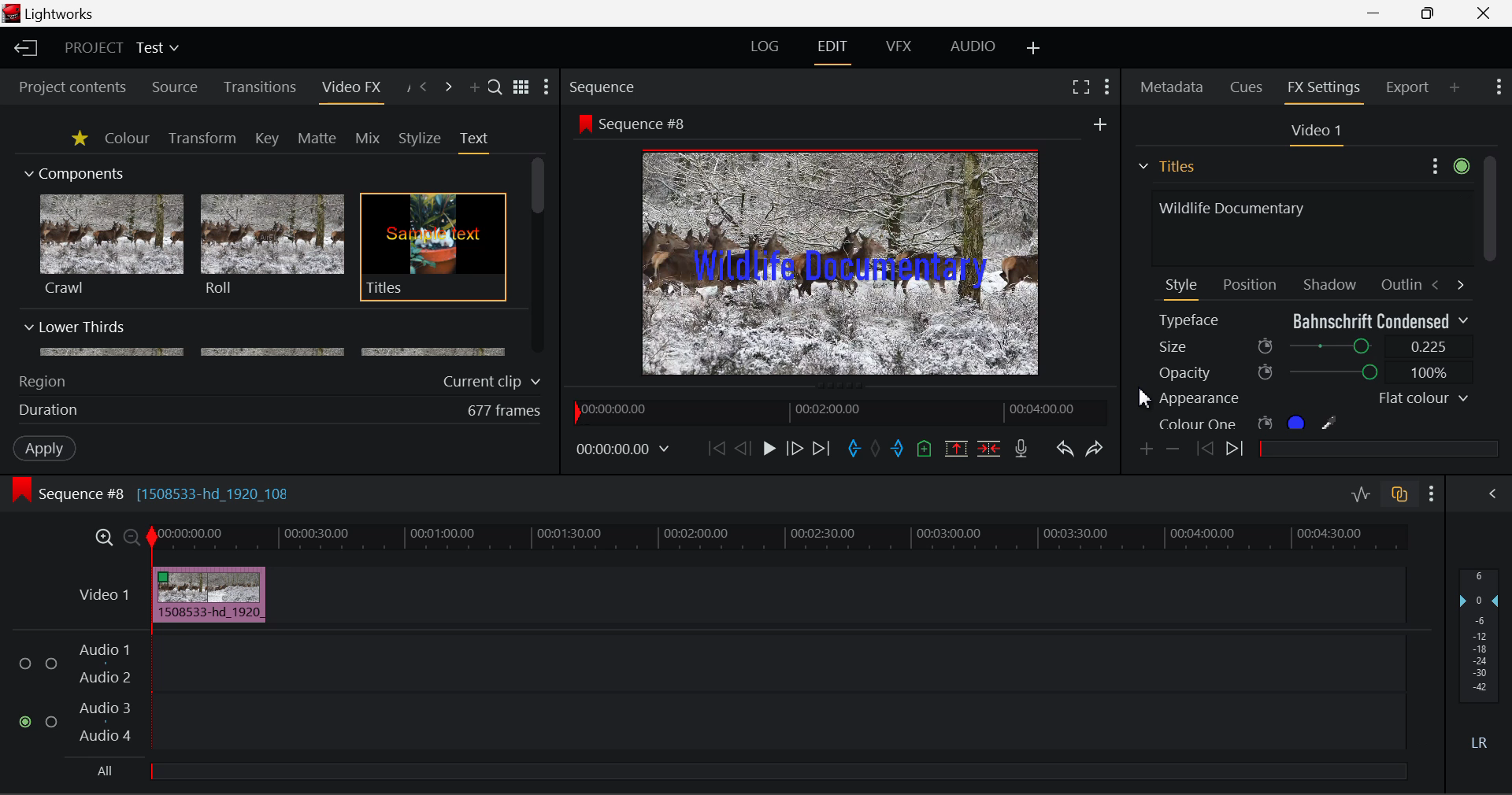 The image size is (1512, 795). Describe the element at coordinates (450, 88) in the screenshot. I see `Next Panel` at that location.